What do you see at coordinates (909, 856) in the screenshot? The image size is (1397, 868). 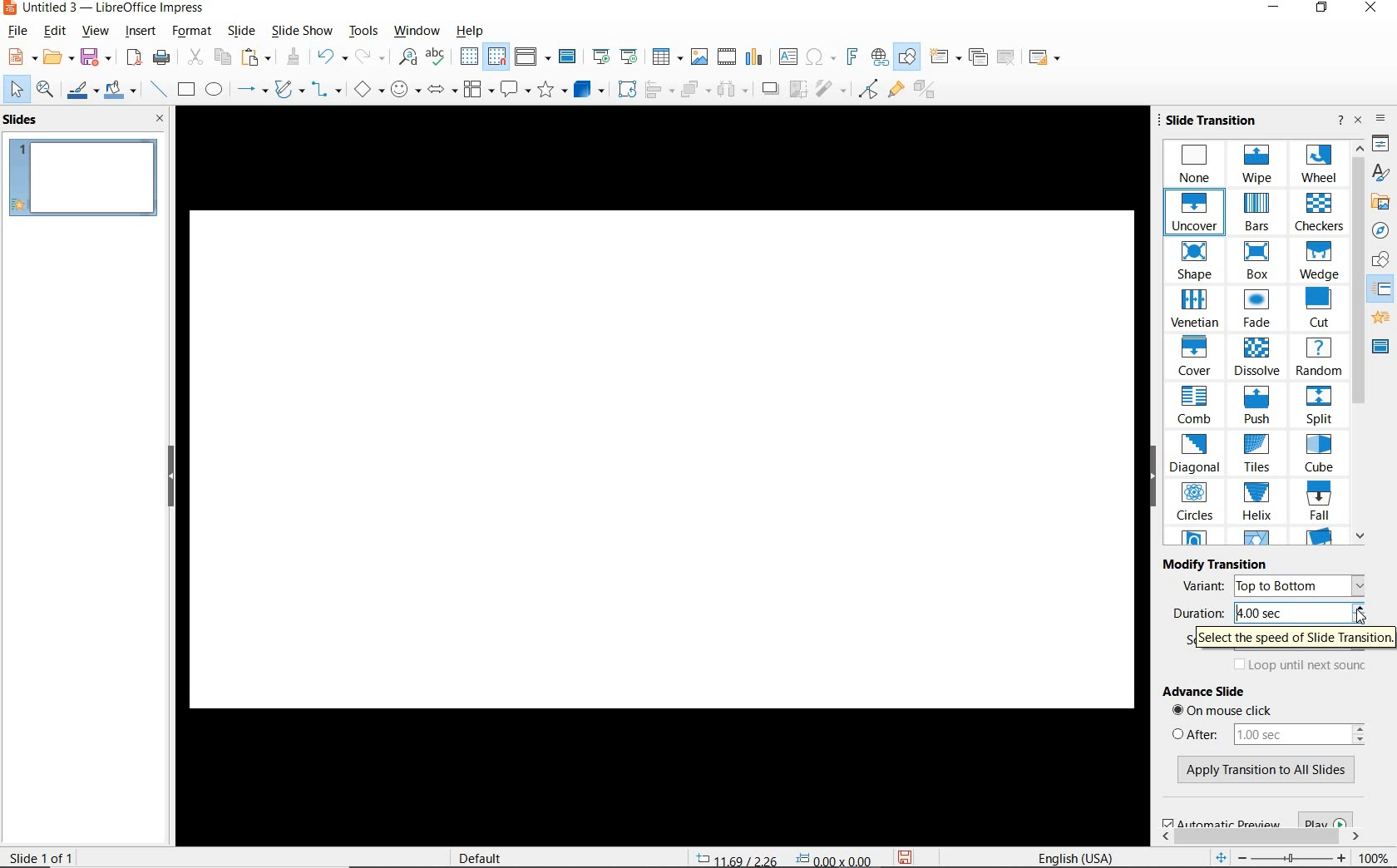 I see `SAVE` at bounding box center [909, 856].